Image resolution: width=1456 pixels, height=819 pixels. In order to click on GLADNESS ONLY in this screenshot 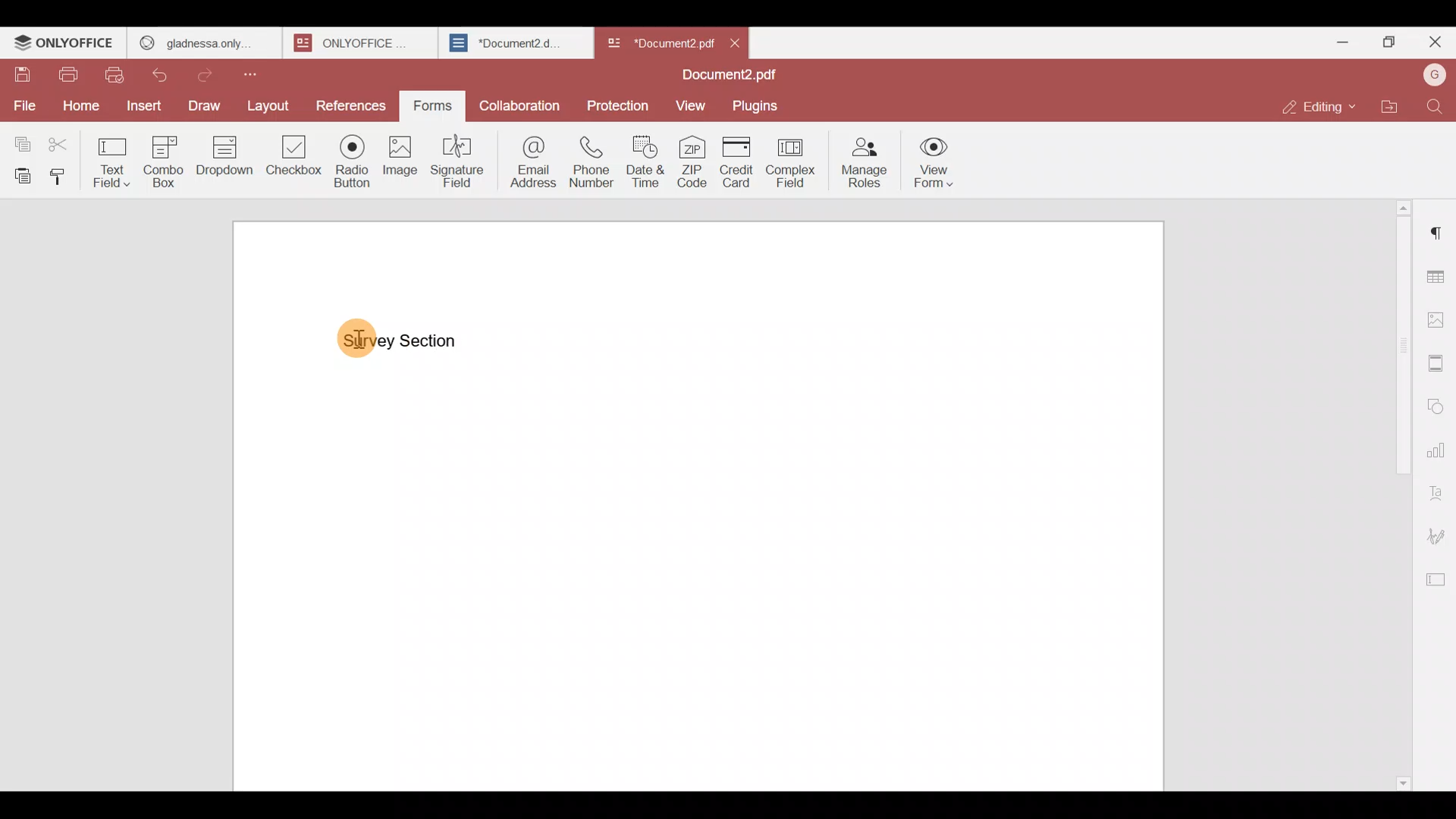, I will do `click(199, 39)`.